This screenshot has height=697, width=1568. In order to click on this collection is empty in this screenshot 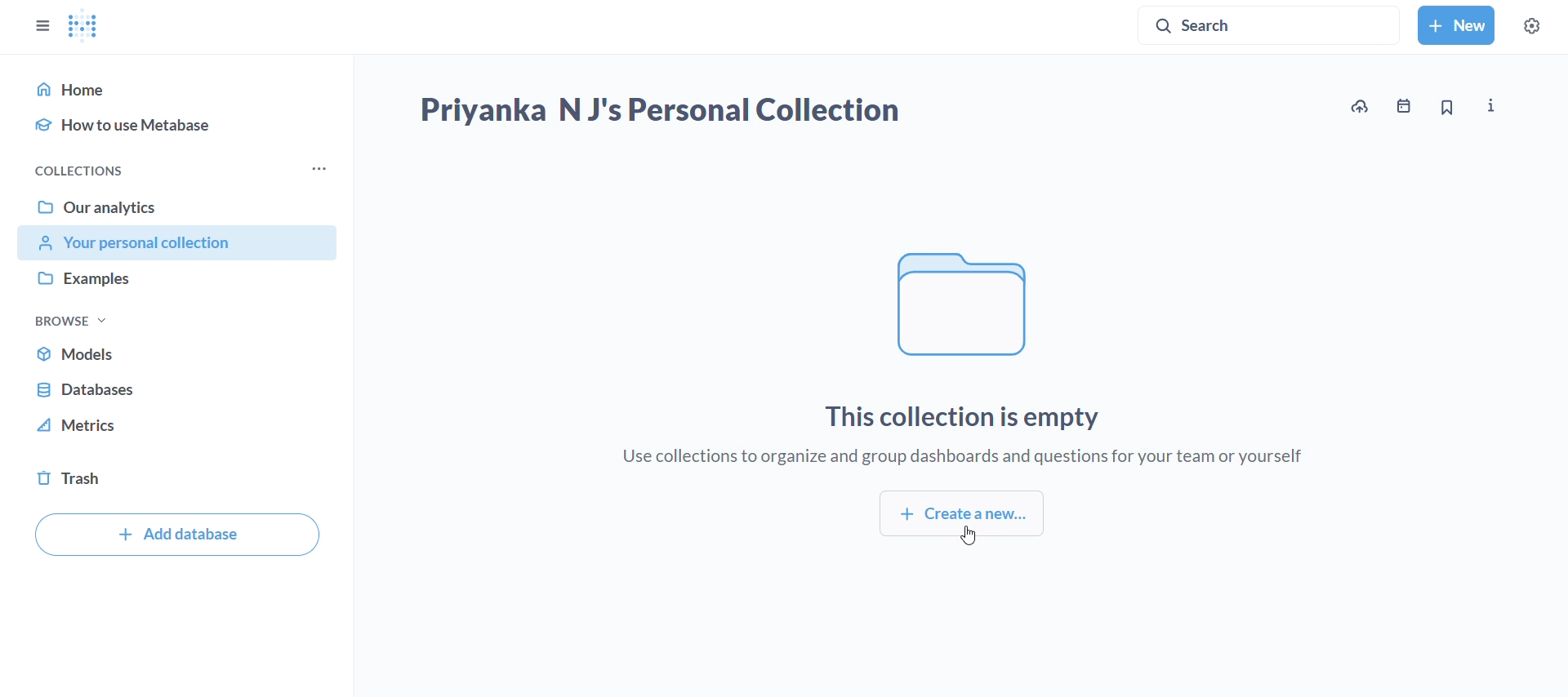, I will do `click(948, 420)`.